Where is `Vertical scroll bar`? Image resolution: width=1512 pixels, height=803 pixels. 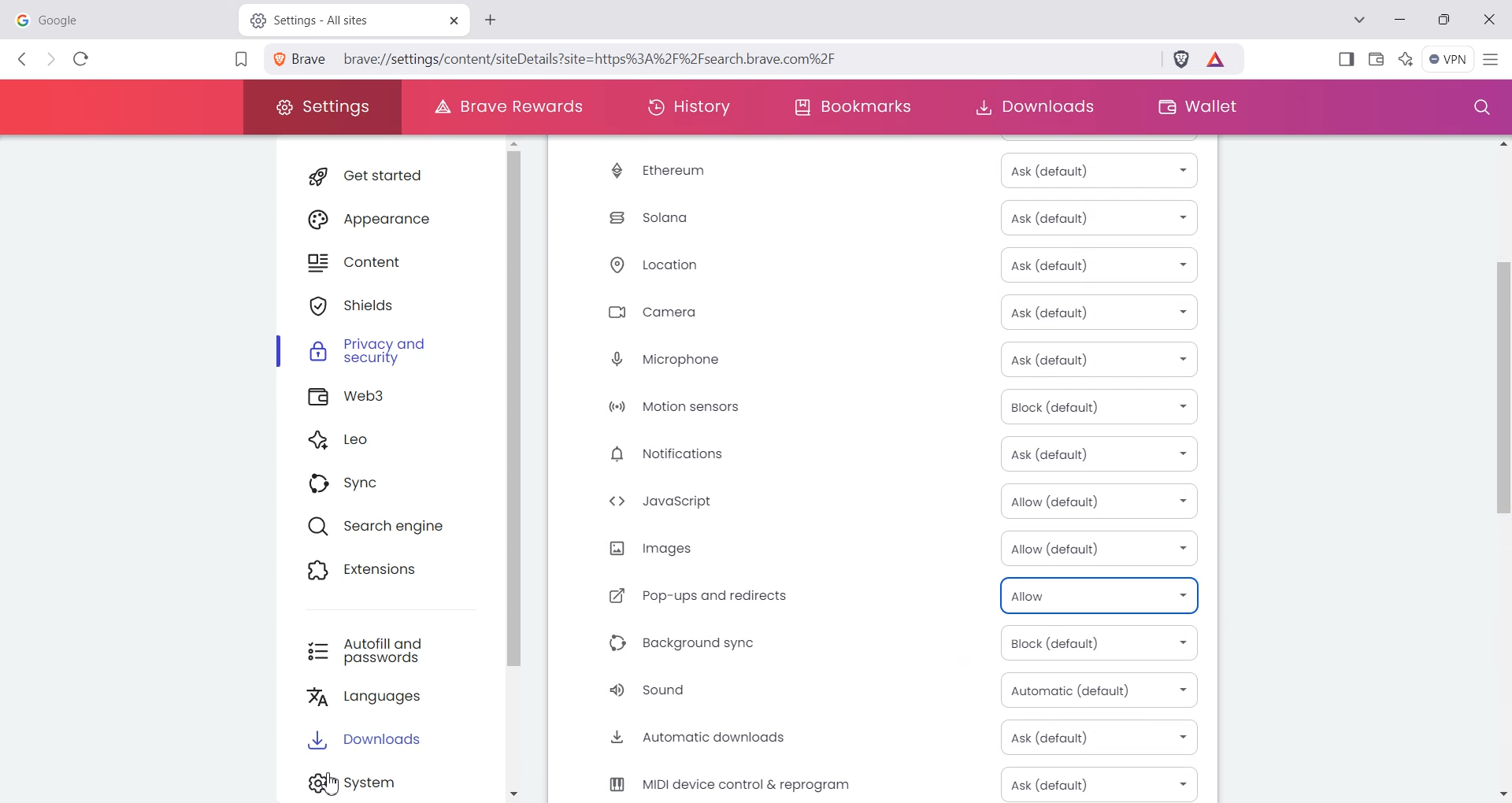 Vertical scroll bar is located at coordinates (524, 469).